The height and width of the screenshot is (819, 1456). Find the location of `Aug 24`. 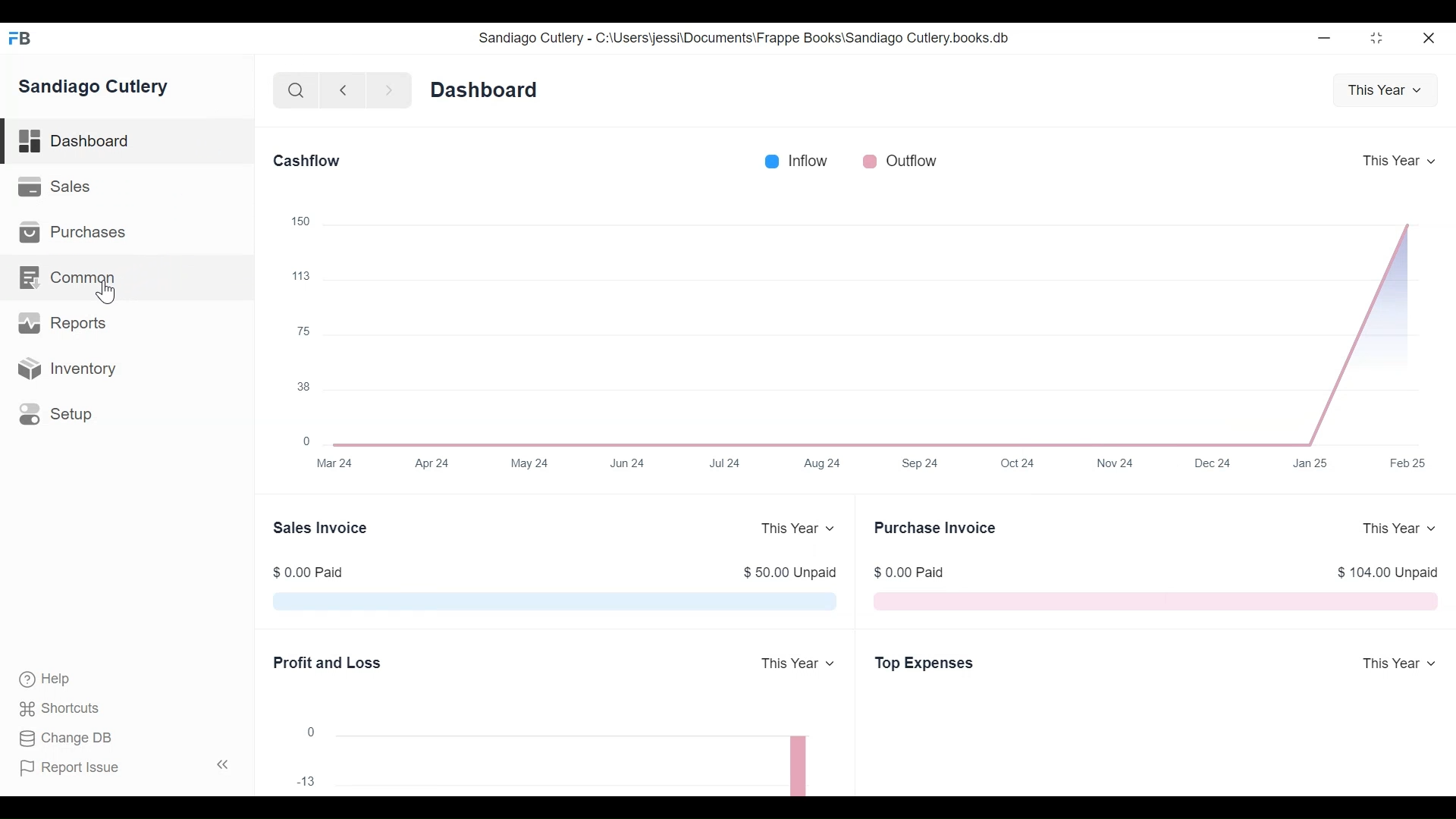

Aug 24 is located at coordinates (821, 463).